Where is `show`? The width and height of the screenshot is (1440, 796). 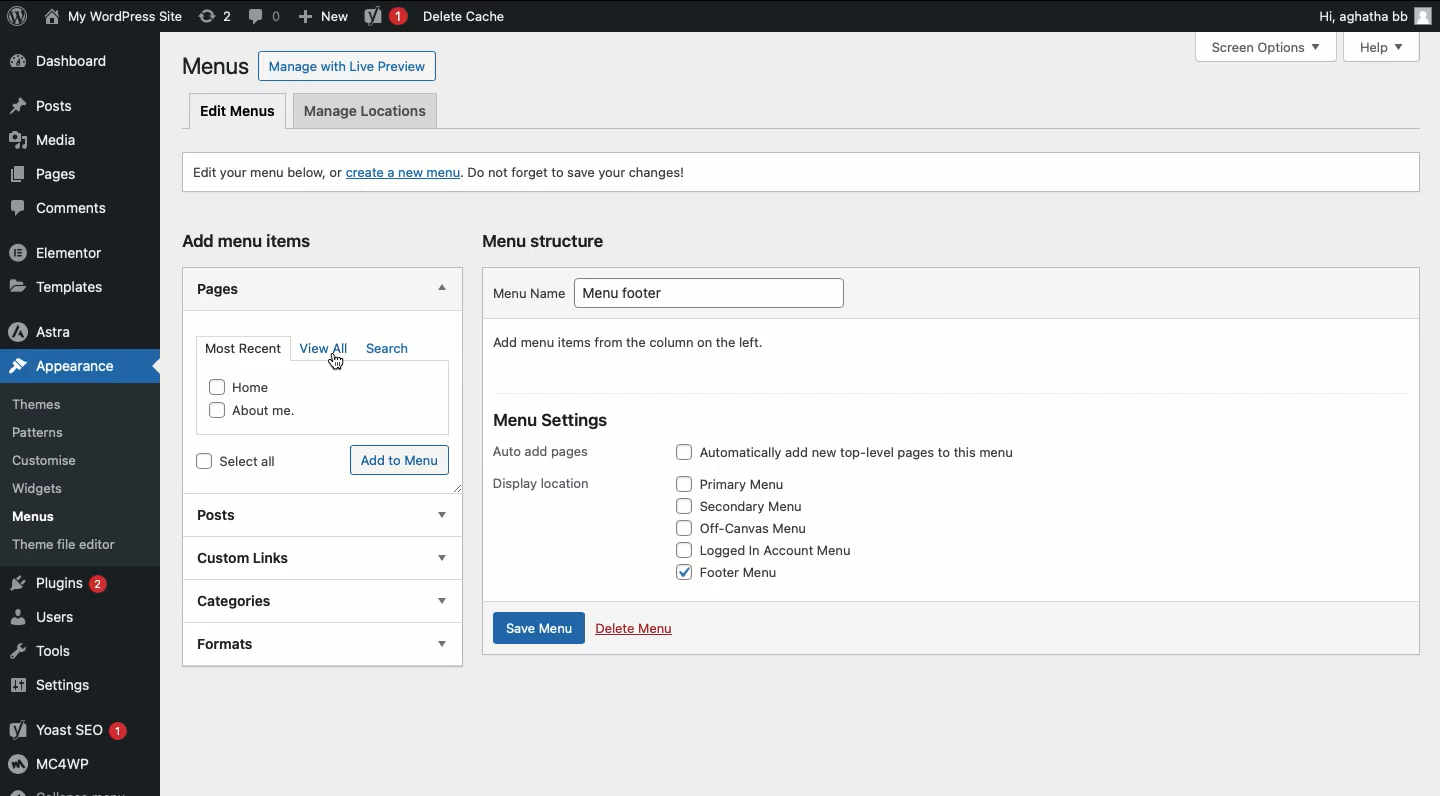
show is located at coordinates (442, 559).